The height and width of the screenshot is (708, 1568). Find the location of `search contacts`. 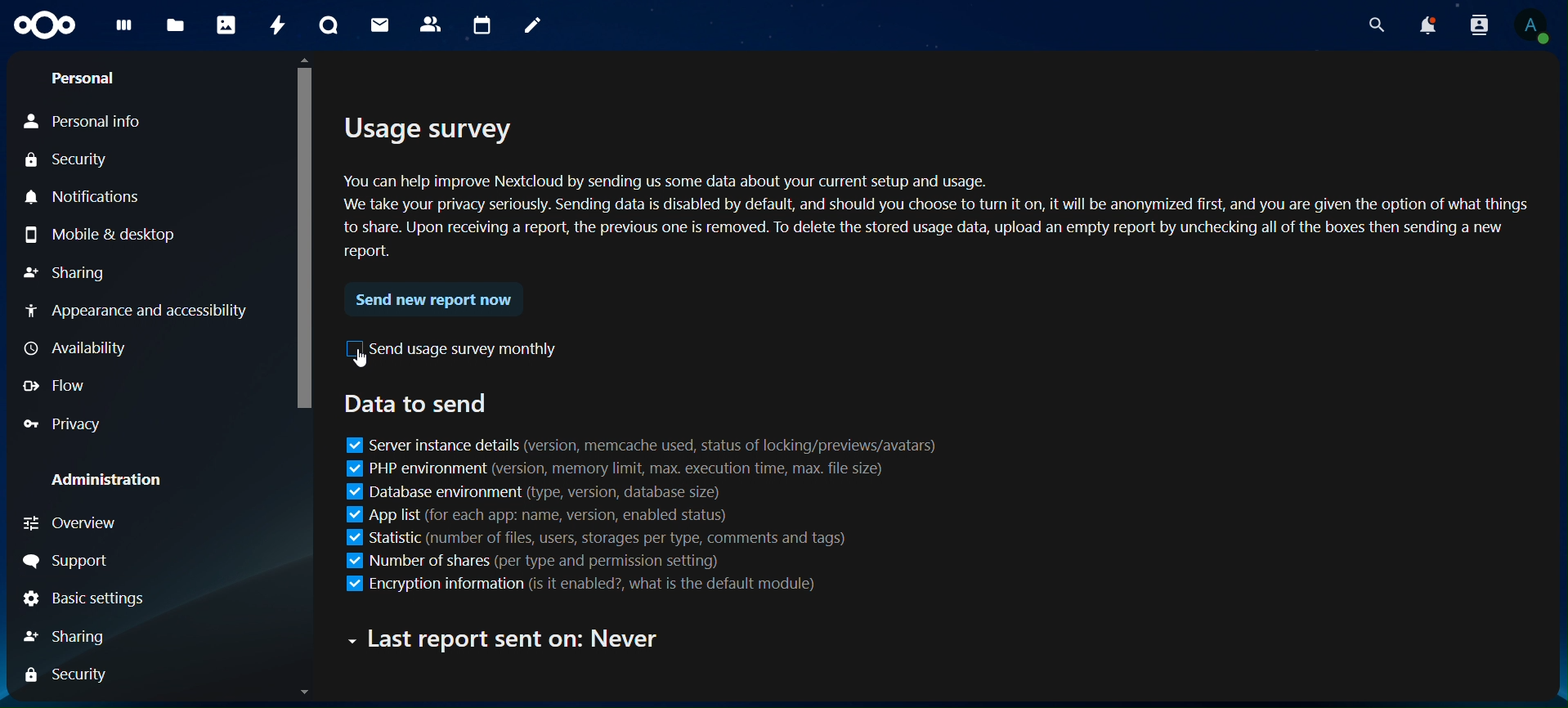

search contacts is located at coordinates (1479, 25).